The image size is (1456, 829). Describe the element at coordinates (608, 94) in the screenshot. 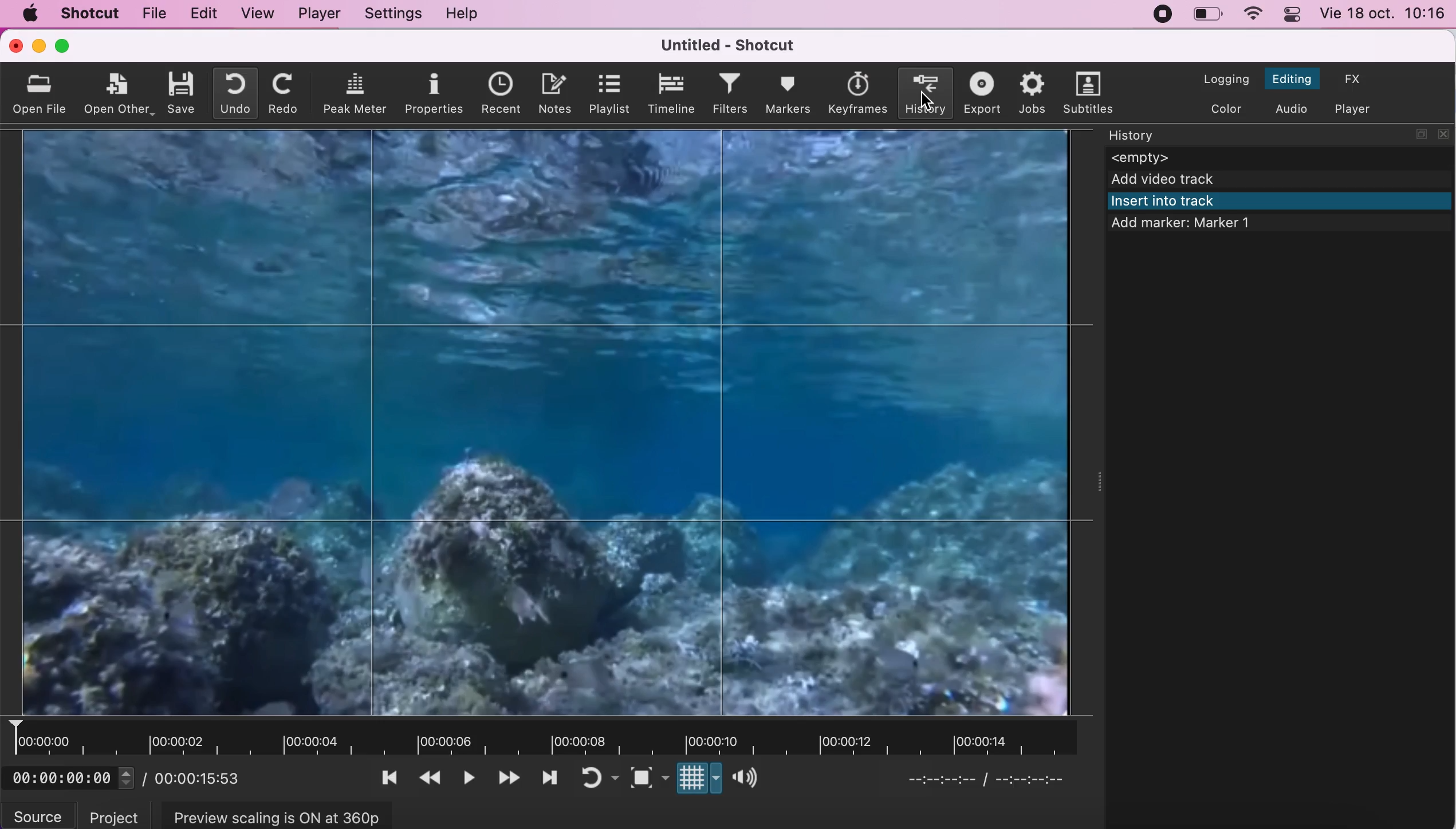

I see `playlist` at that location.